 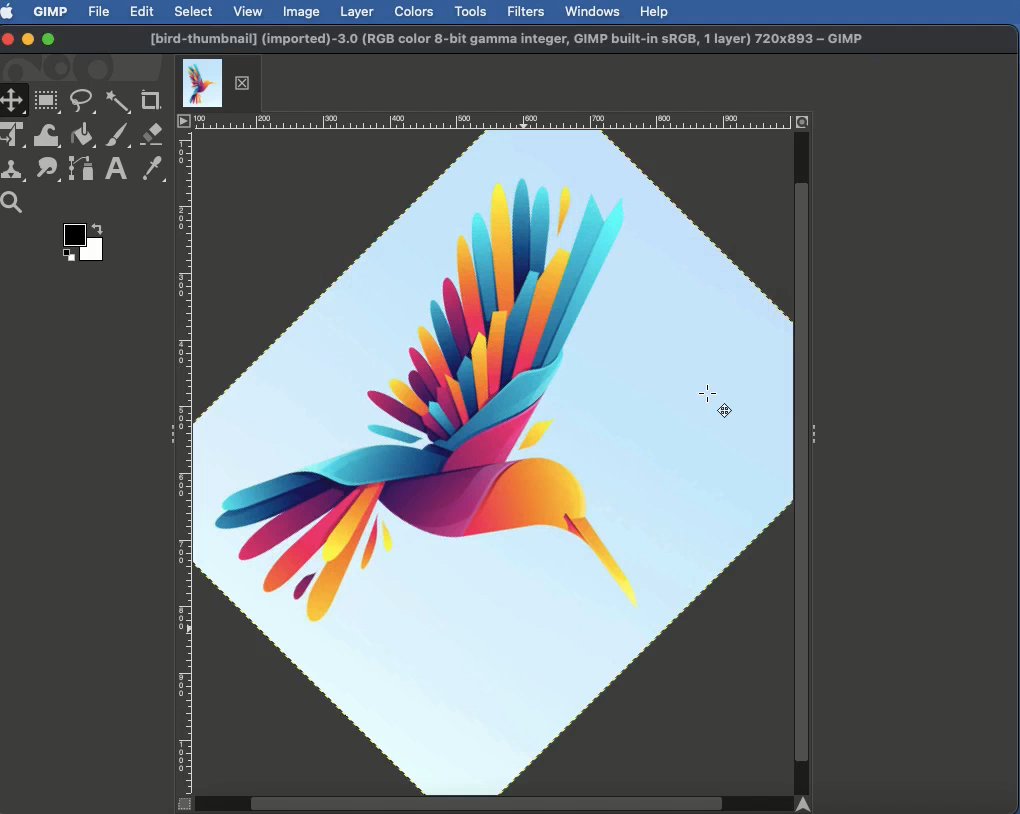 I want to click on Edit, so click(x=142, y=13).